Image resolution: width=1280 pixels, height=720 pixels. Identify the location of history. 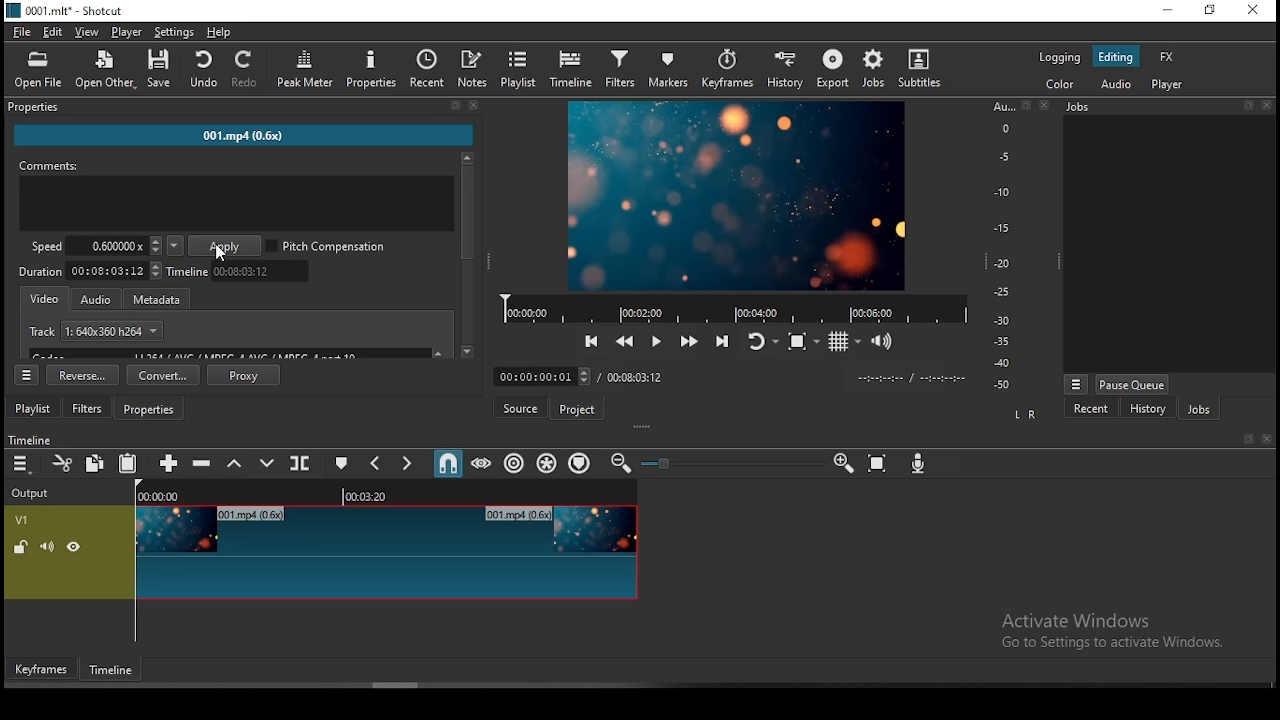
(1148, 409).